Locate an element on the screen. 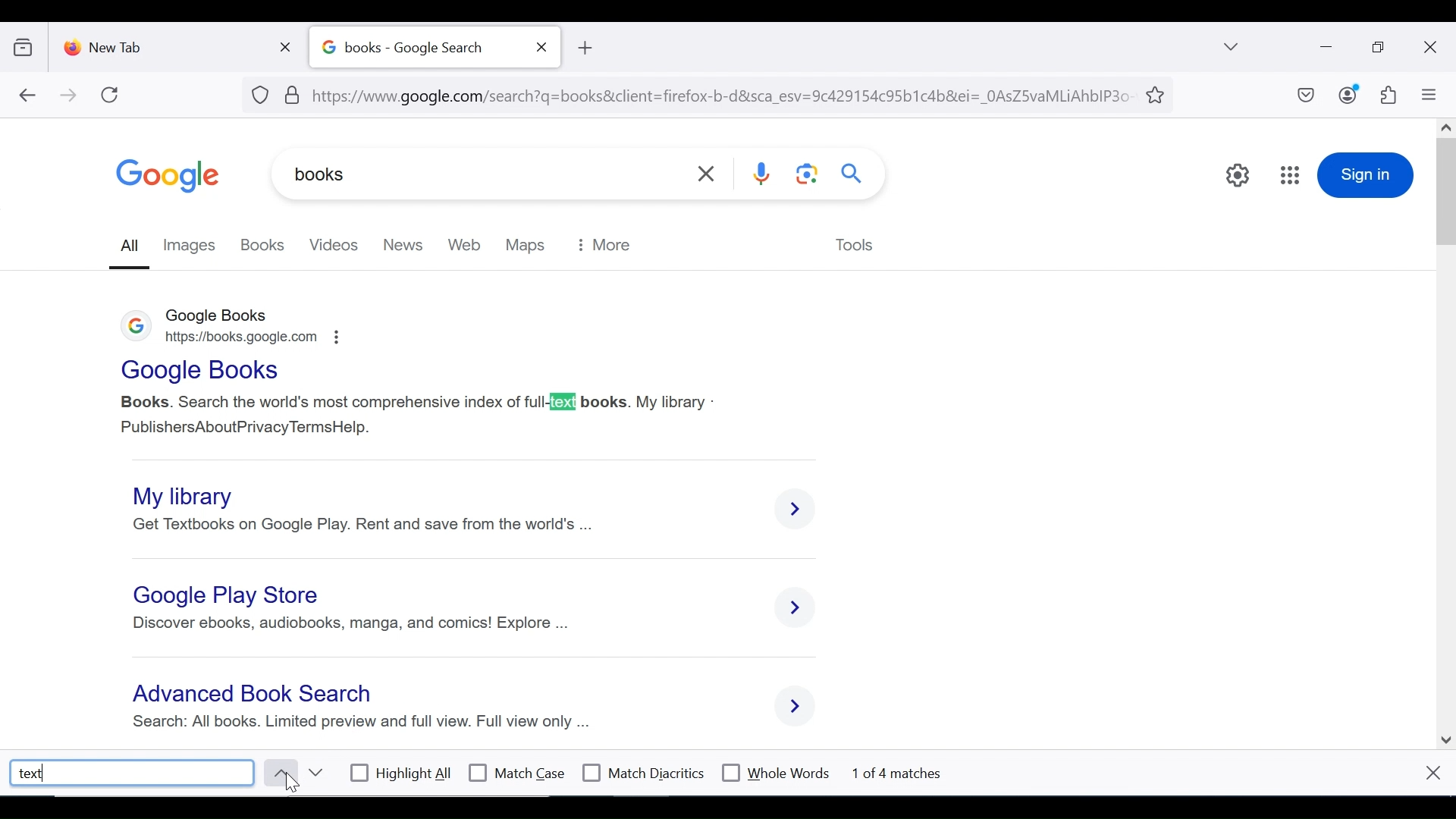  books is located at coordinates (264, 244).